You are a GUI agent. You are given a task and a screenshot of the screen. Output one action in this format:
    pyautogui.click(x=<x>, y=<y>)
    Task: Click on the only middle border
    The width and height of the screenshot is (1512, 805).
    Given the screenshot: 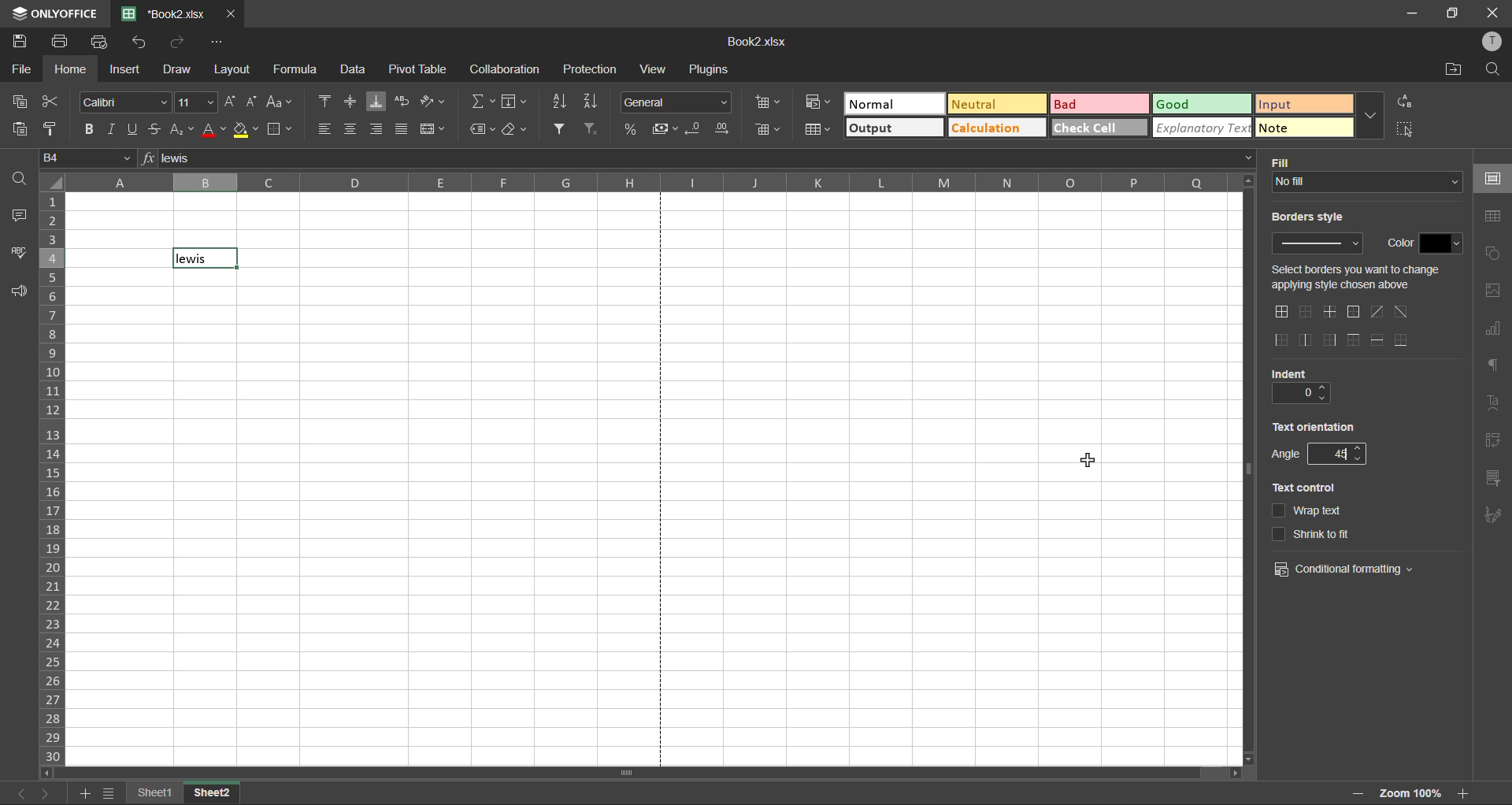 What is the action you would take?
    pyautogui.click(x=1306, y=339)
    